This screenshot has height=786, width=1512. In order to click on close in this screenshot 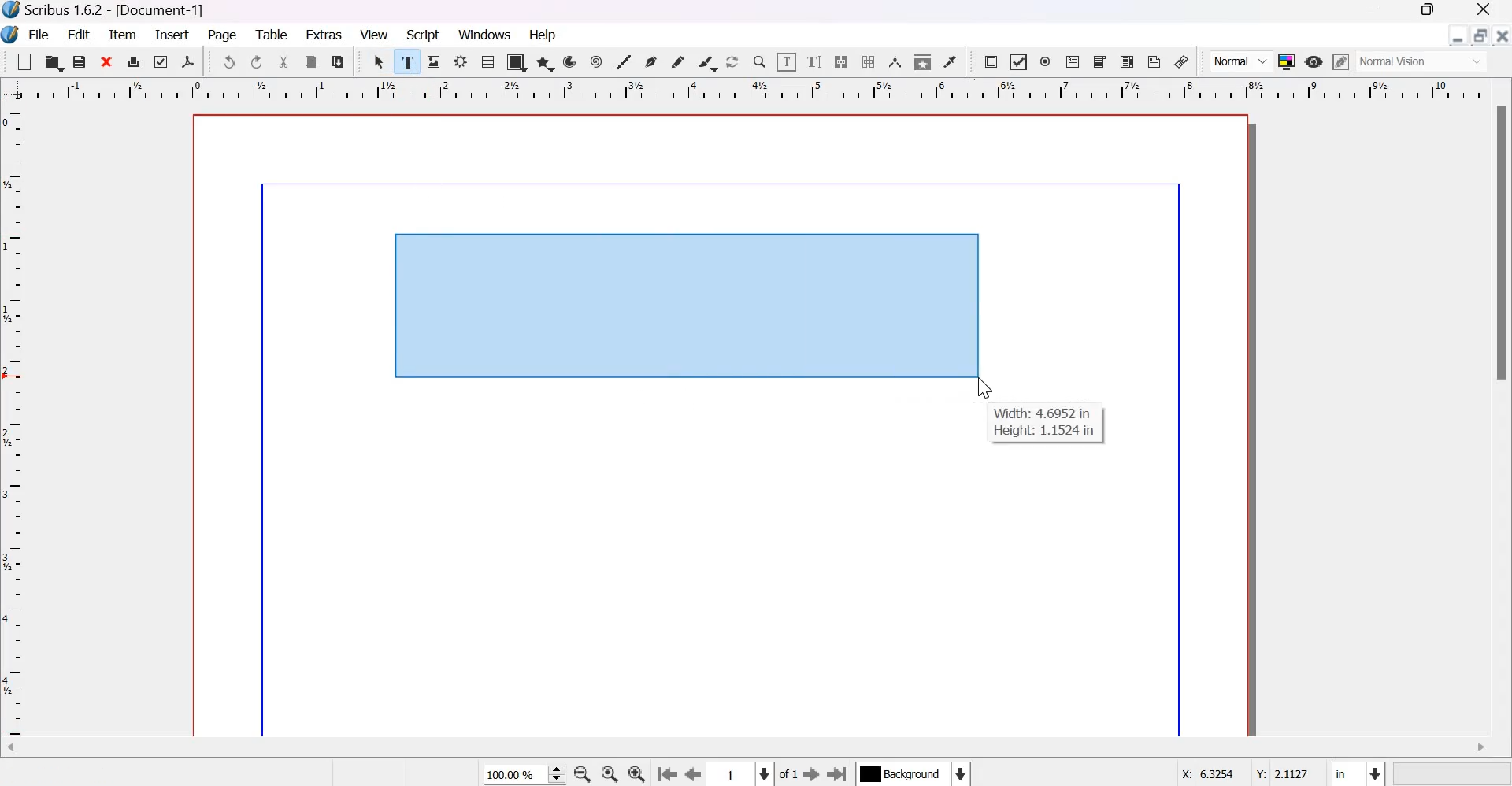, I will do `click(108, 61)`.